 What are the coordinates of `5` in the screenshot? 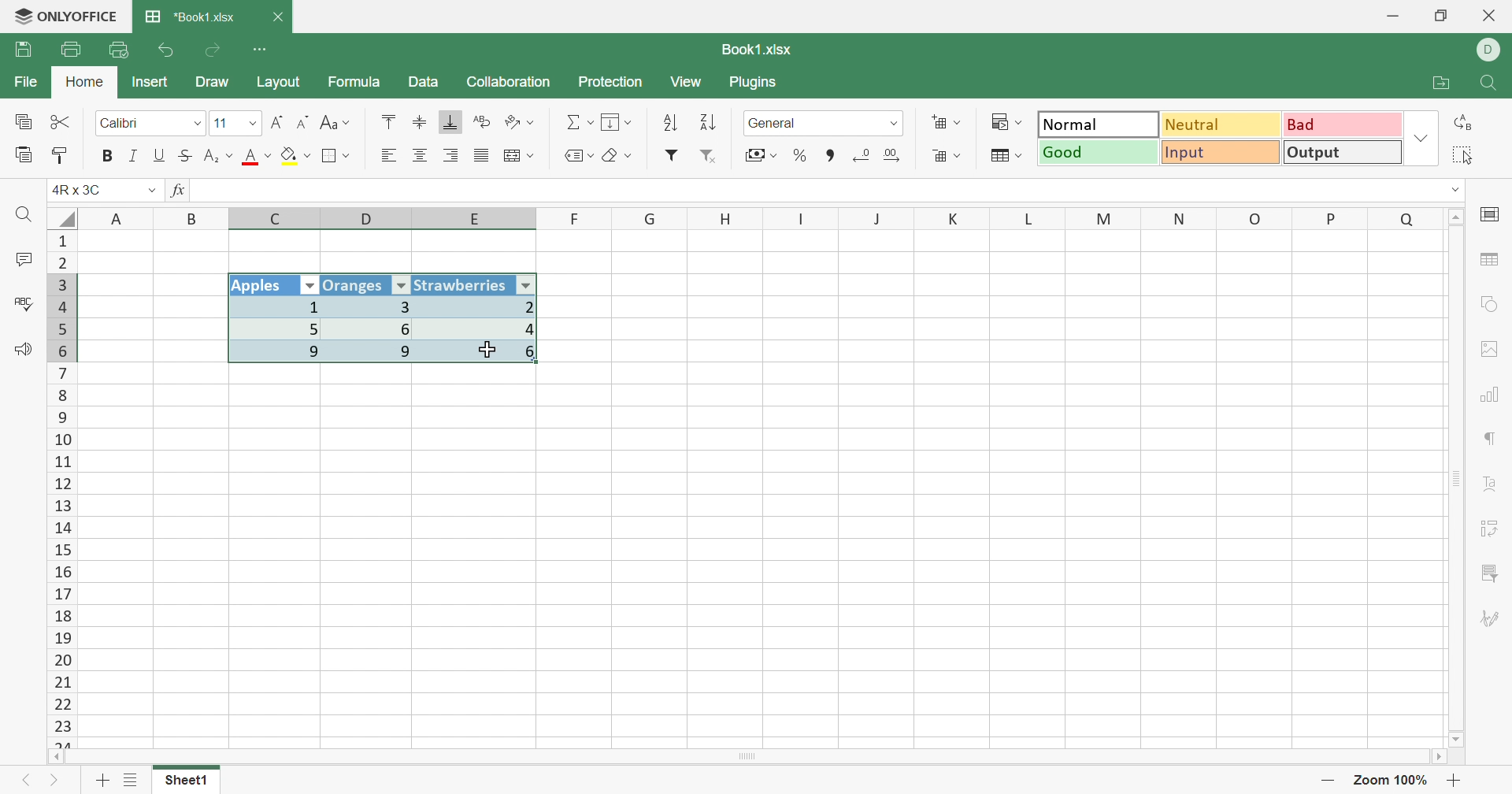 It's located at (277, 328).